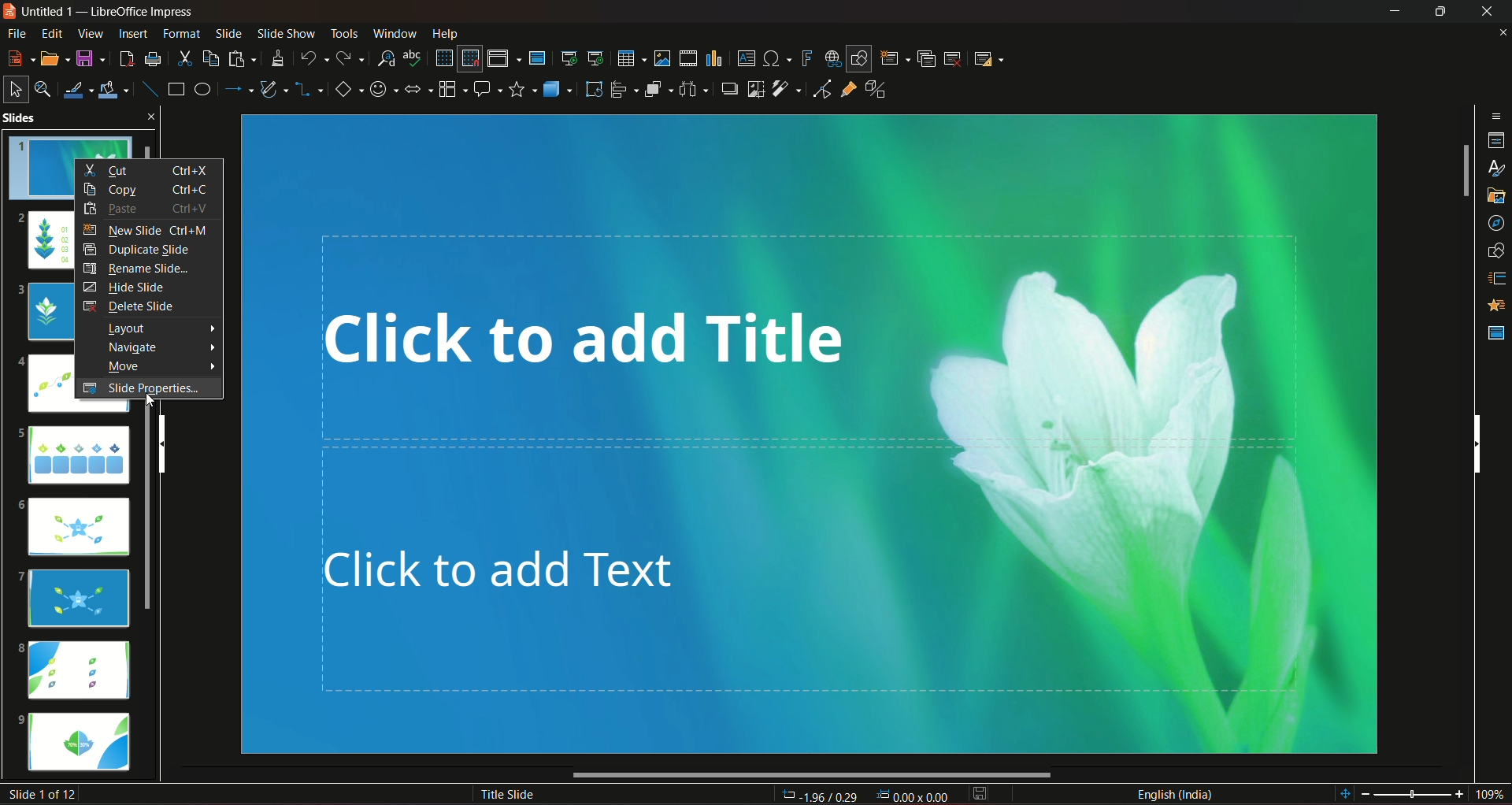 This screenshot has height=805, width=1512. What do you see at coordinates (523, 88) in the screenshot?
I see `stars and banners` at bounding box center [523, 88].